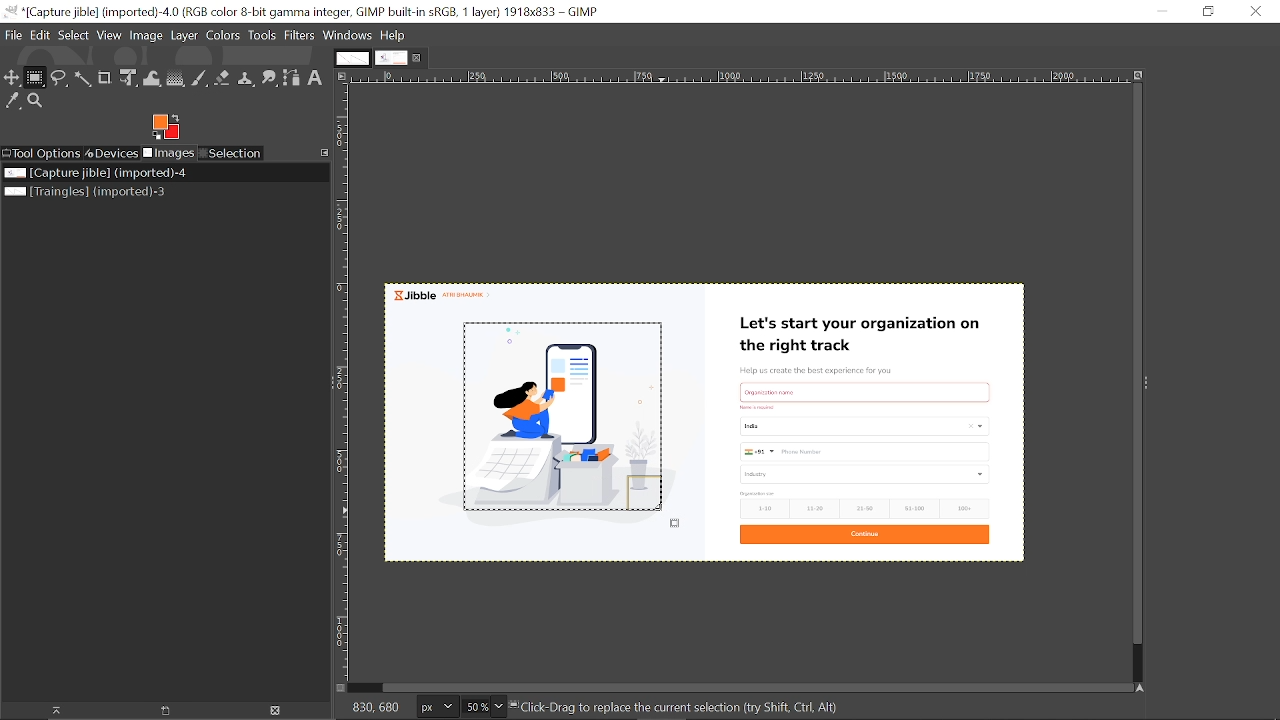 Image resolution: width=1280 pixels, height=720 pixels. What do you see at coordinates (104, 77) in the screenshot?
I see `Crop tool` at bounding box center [104, 77].